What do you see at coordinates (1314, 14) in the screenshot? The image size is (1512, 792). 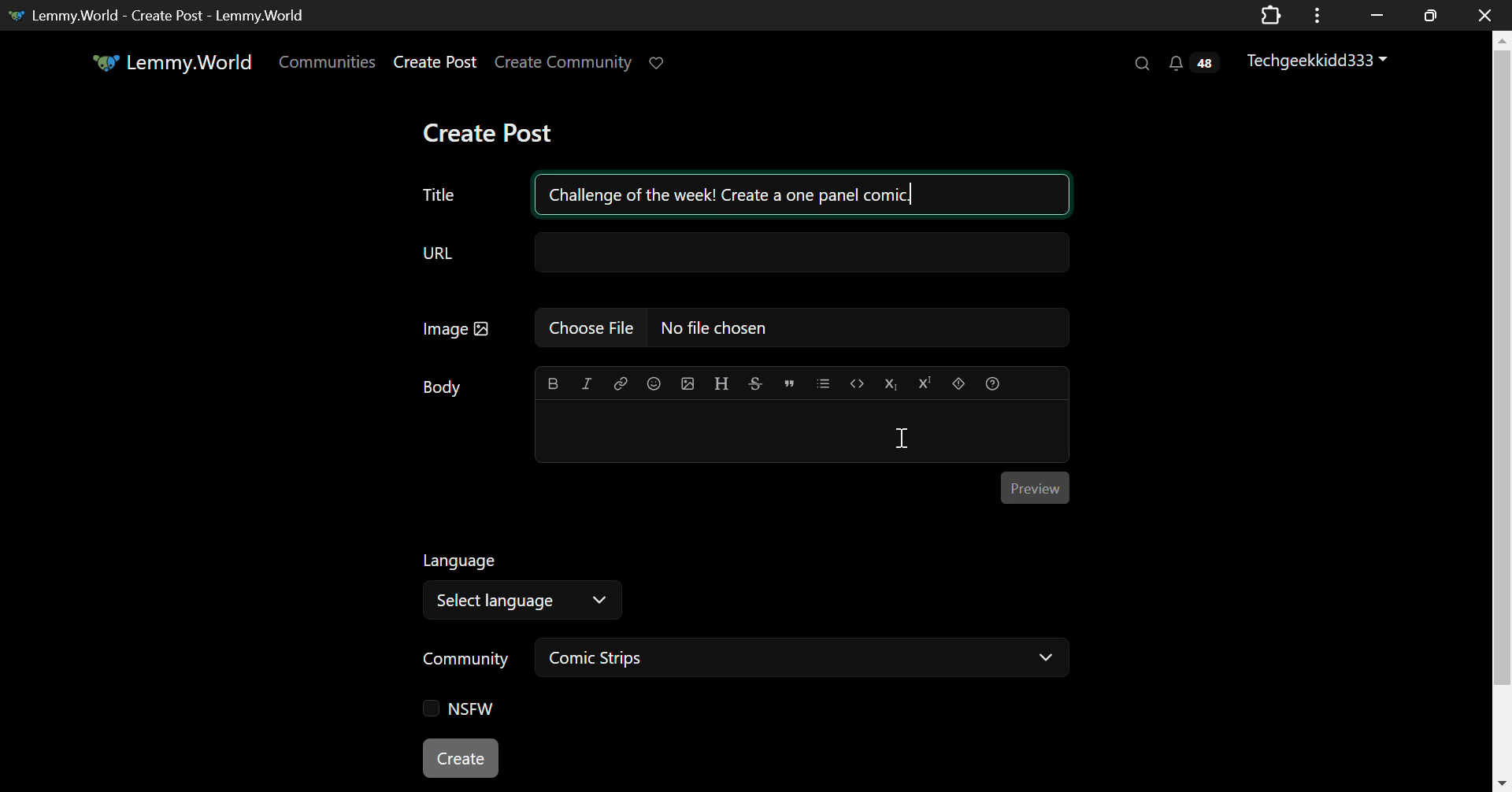 I see `Options Menu` at bounding box center [1314, 14].